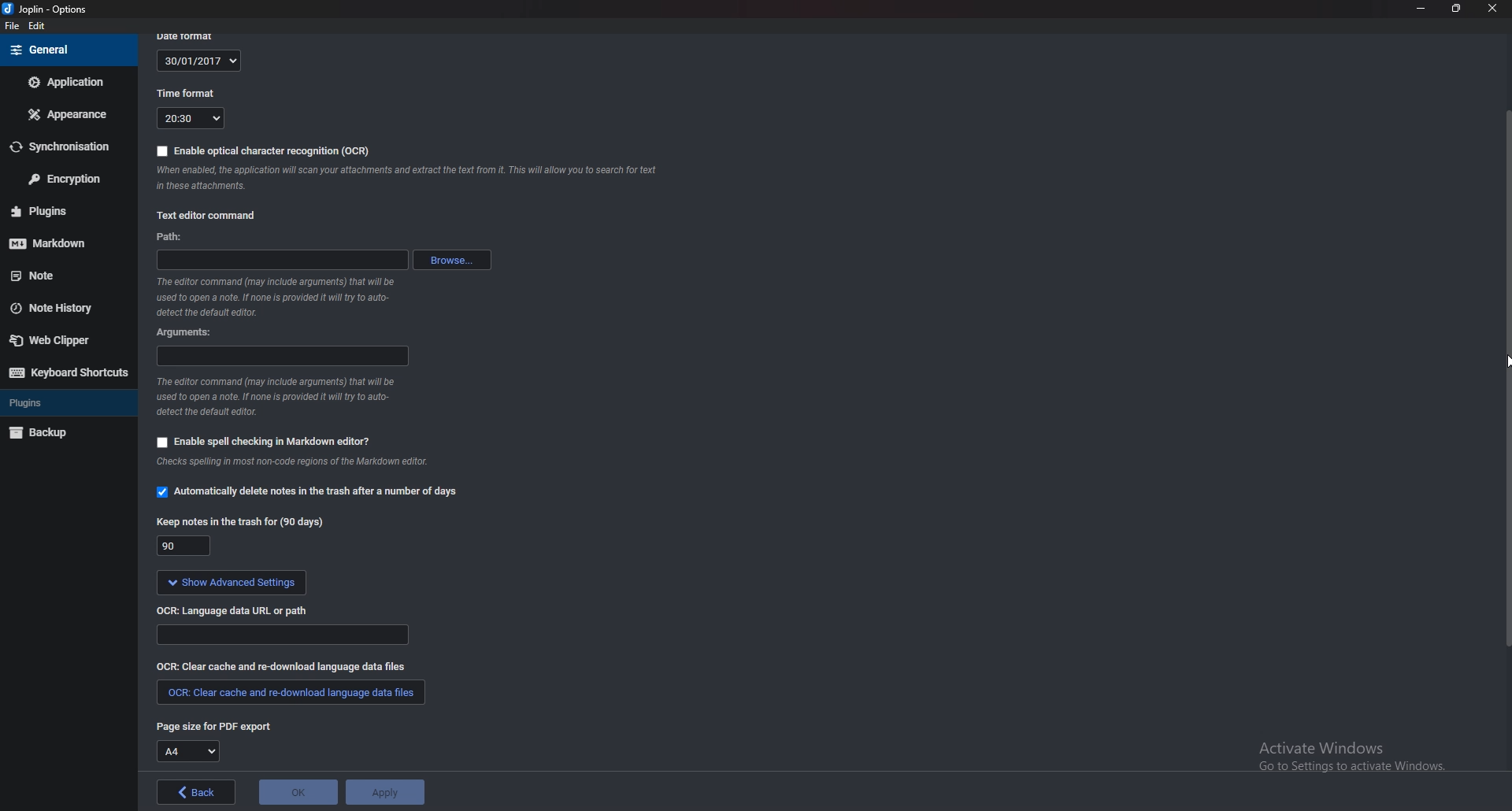 The width and height of the screenshot is (1512, 811). What do you see at coordinates (187, 91) in the screenshot?
I see `Time format` at bounding box center [187, 91].